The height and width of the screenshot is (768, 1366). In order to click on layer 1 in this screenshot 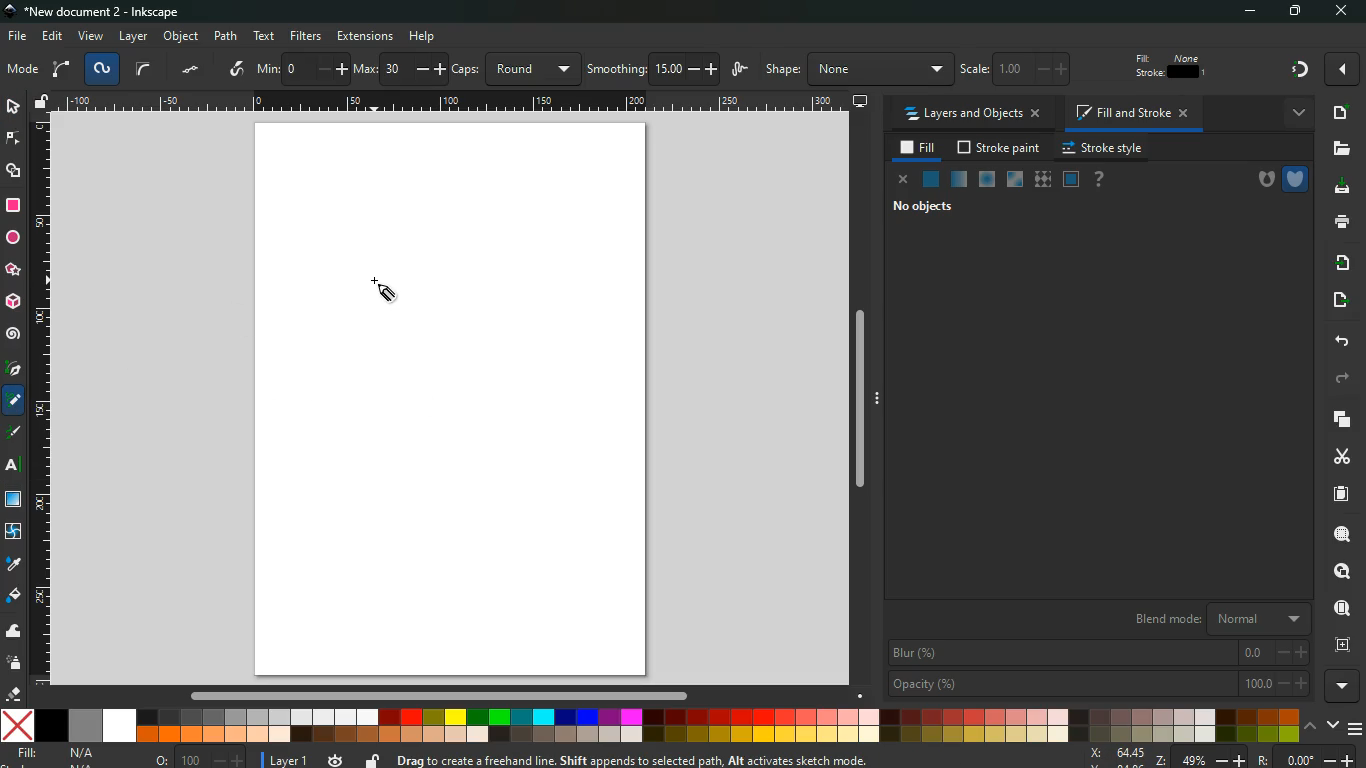, I will do `click(291, 759)`.